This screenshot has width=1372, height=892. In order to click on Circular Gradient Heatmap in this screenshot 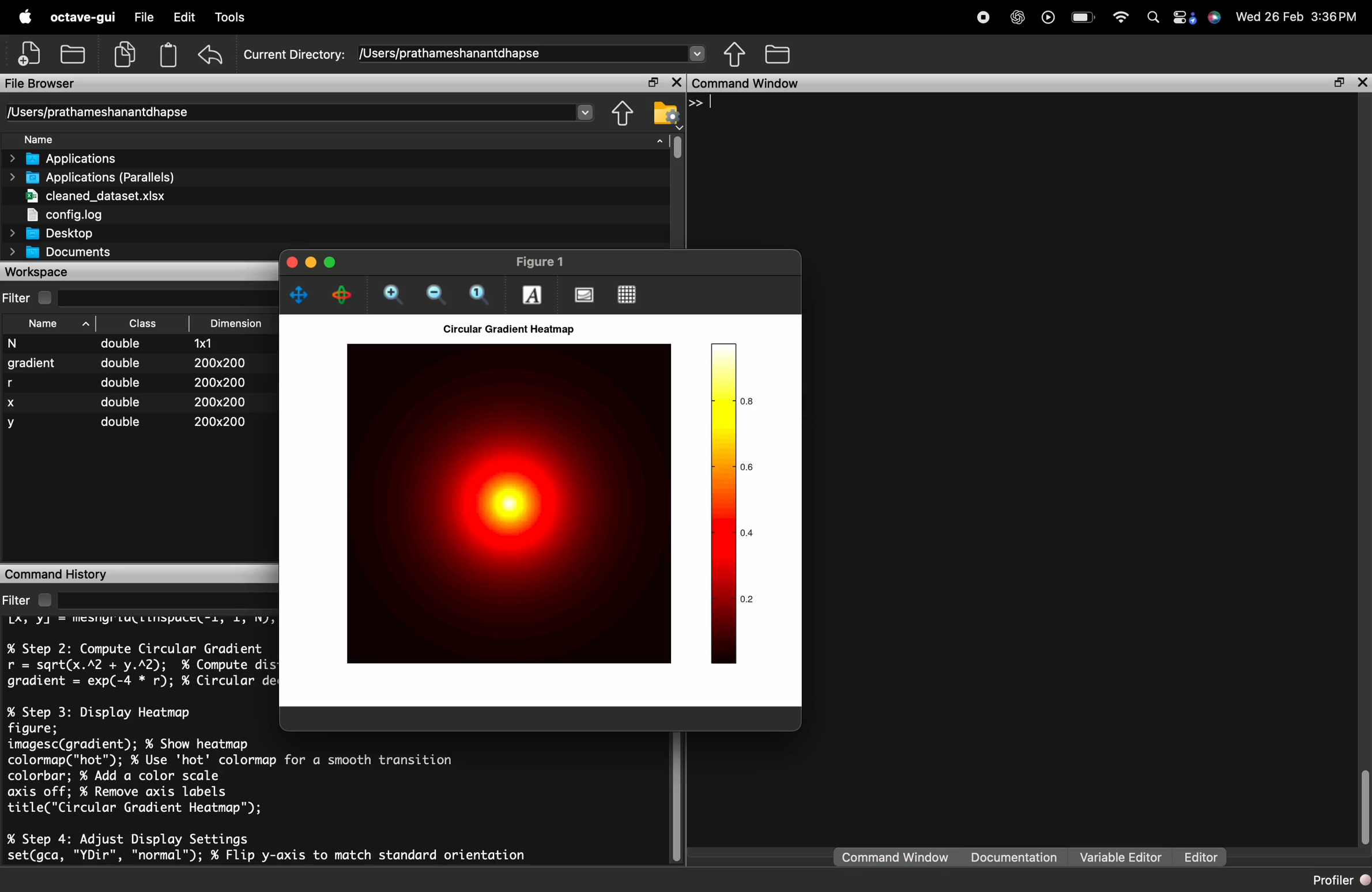, I will do `click(506, 330)`.